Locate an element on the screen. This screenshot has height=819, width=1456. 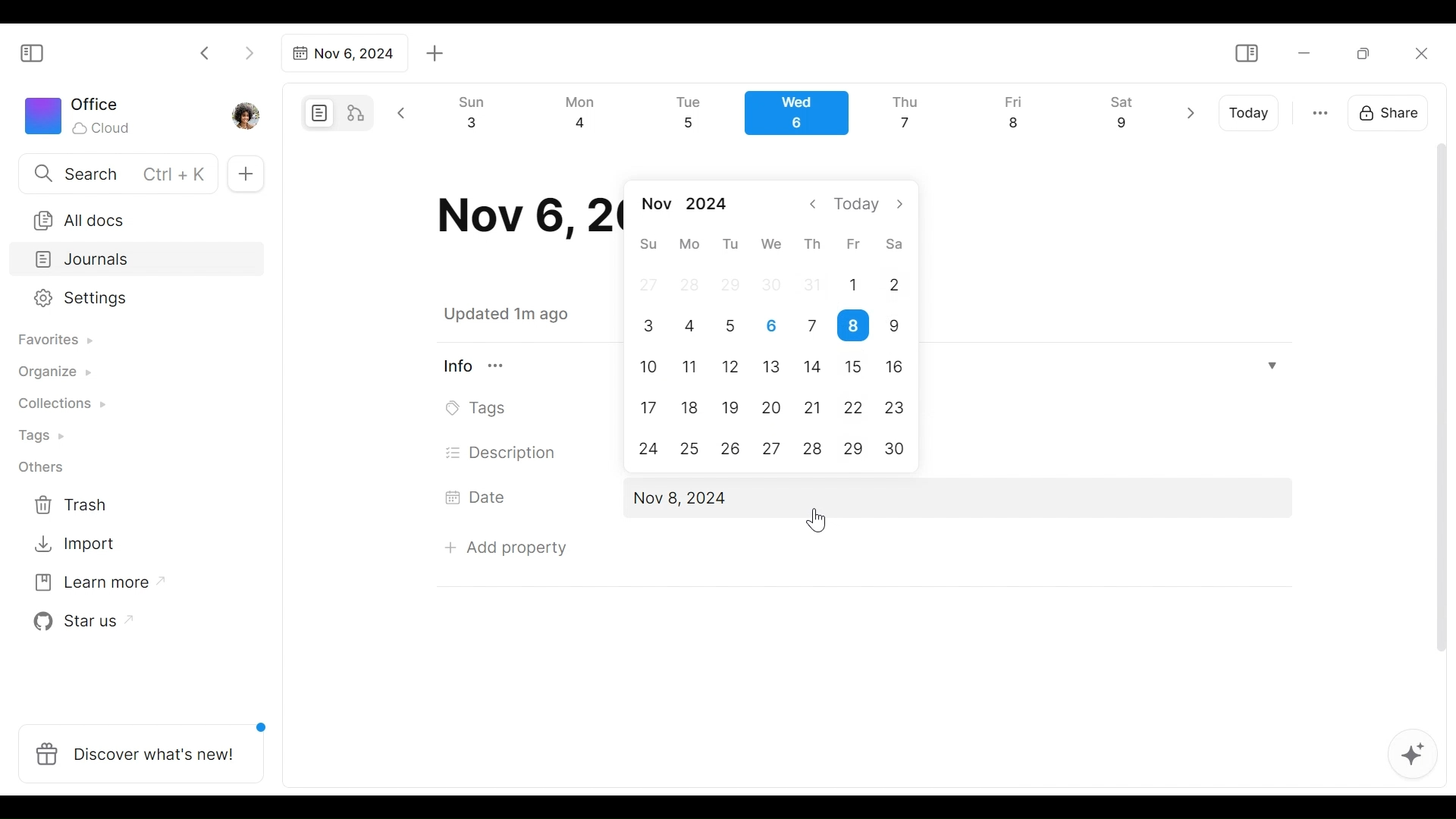
Calendar is located at coordinates (803, 117).